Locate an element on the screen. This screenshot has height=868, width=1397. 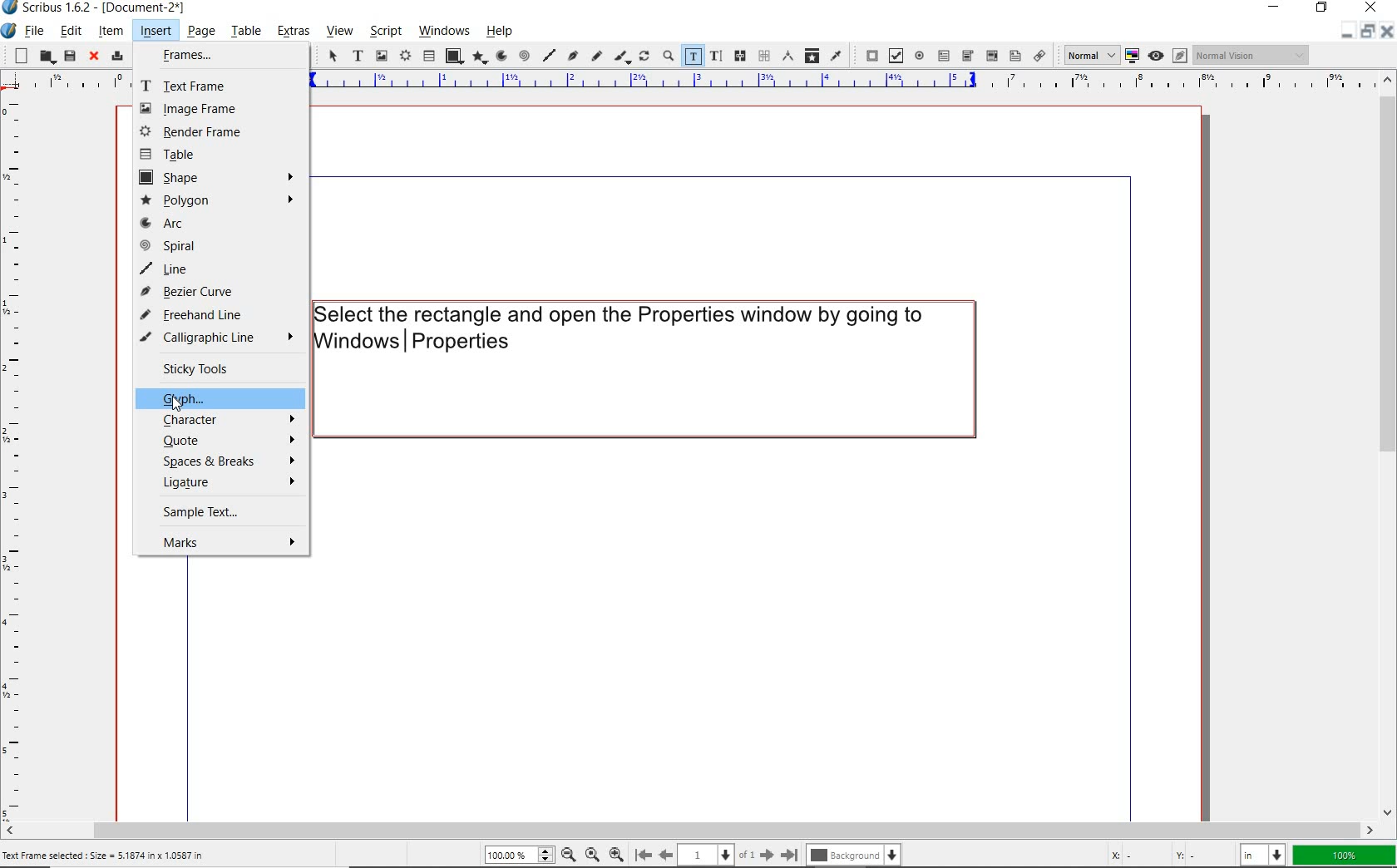
scribus 1.6.2 - [Document-2*] is located at coordinates (111, 8).